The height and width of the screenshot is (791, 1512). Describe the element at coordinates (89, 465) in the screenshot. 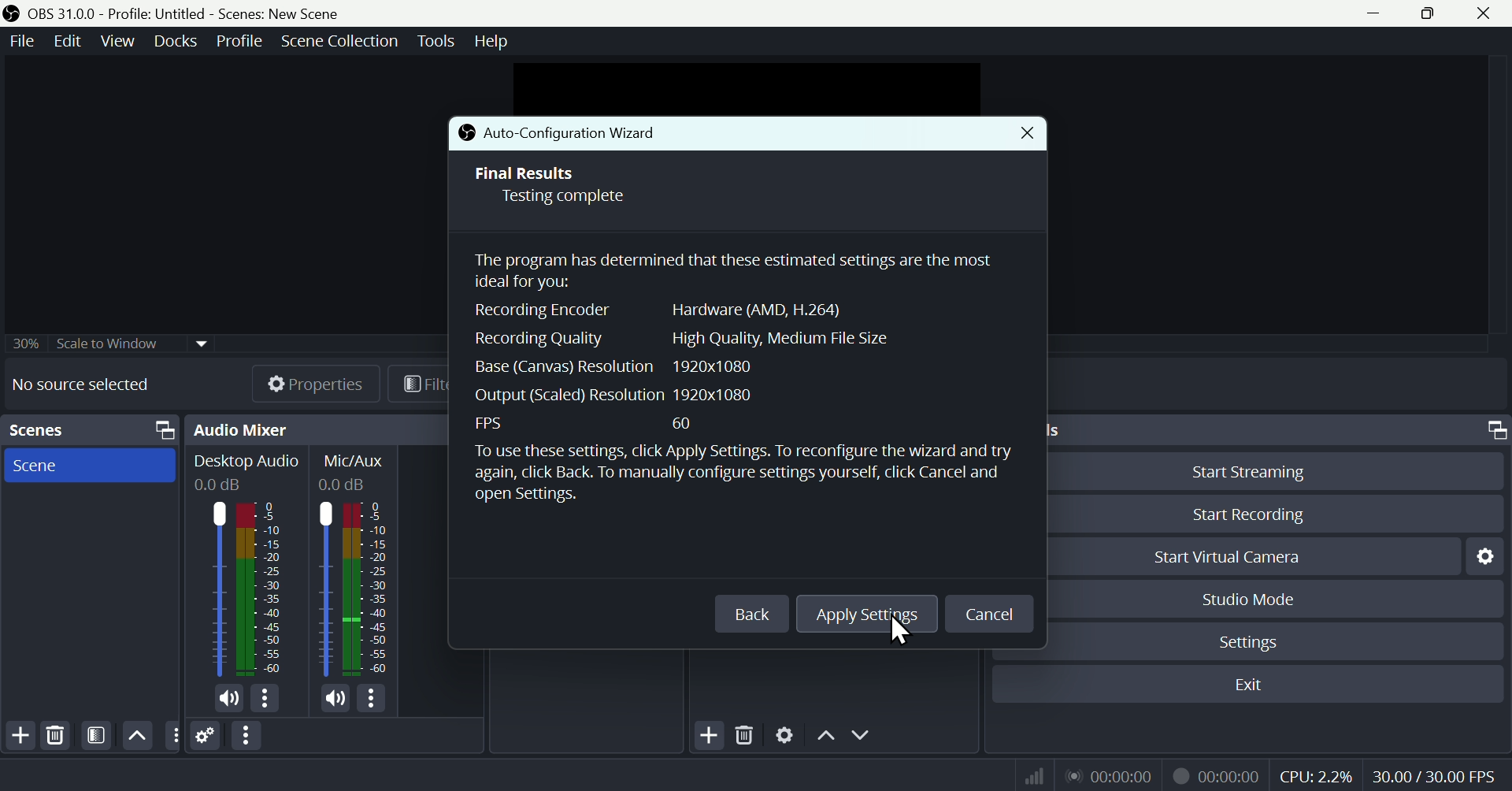

I see `Scene` at that location.